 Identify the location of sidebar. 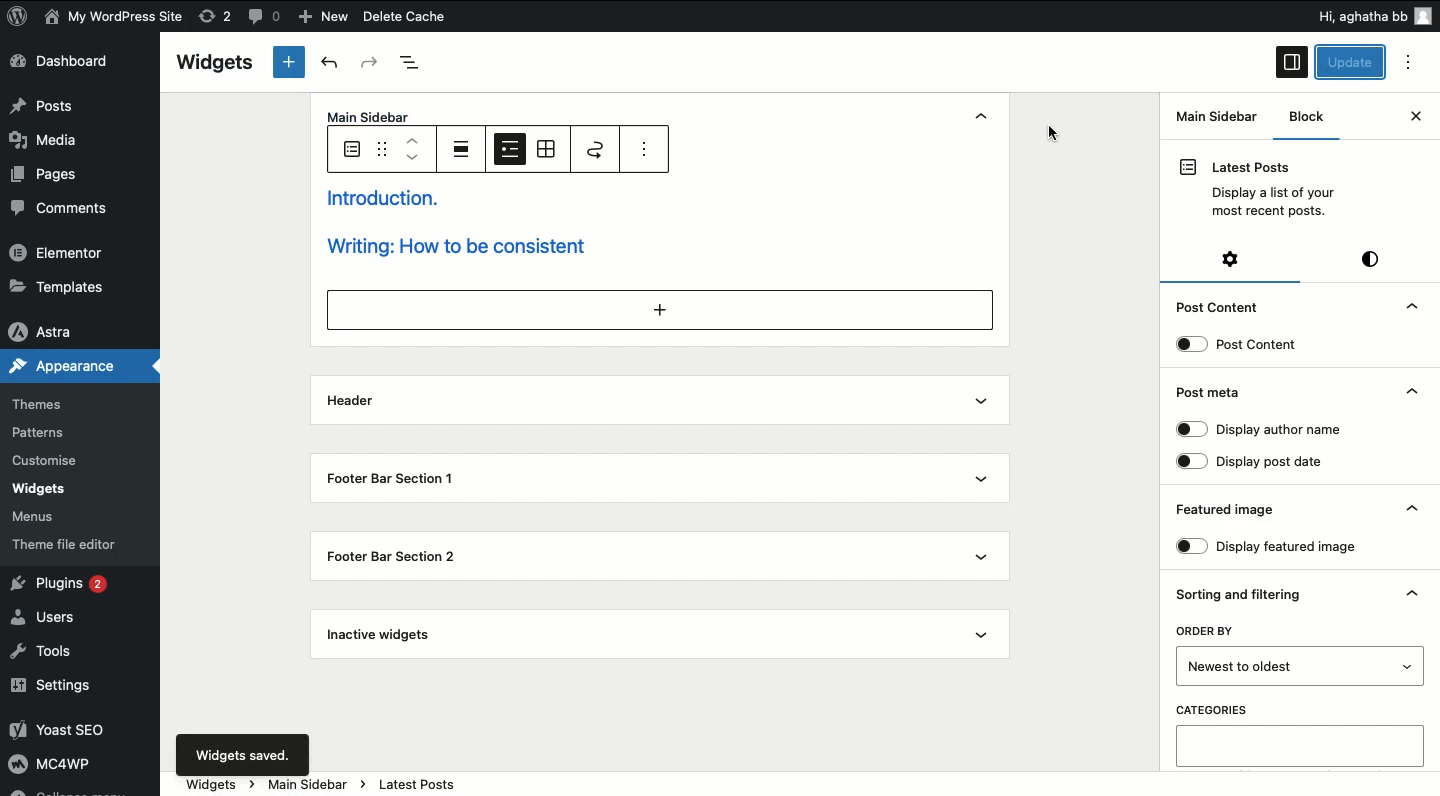
(1283, 61).